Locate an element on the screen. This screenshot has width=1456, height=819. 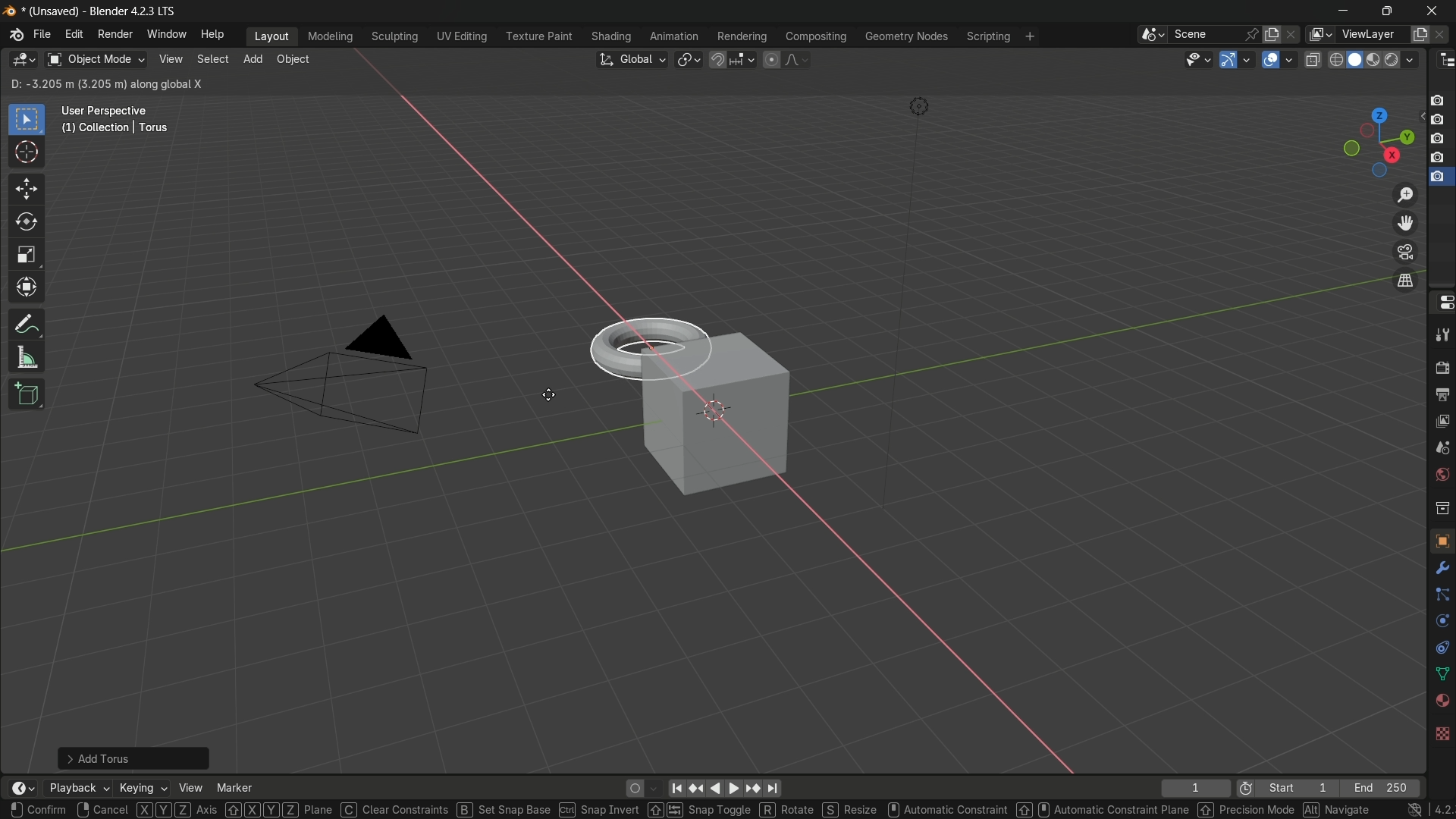
Clear Constraints is located at coordinates (396, 809).